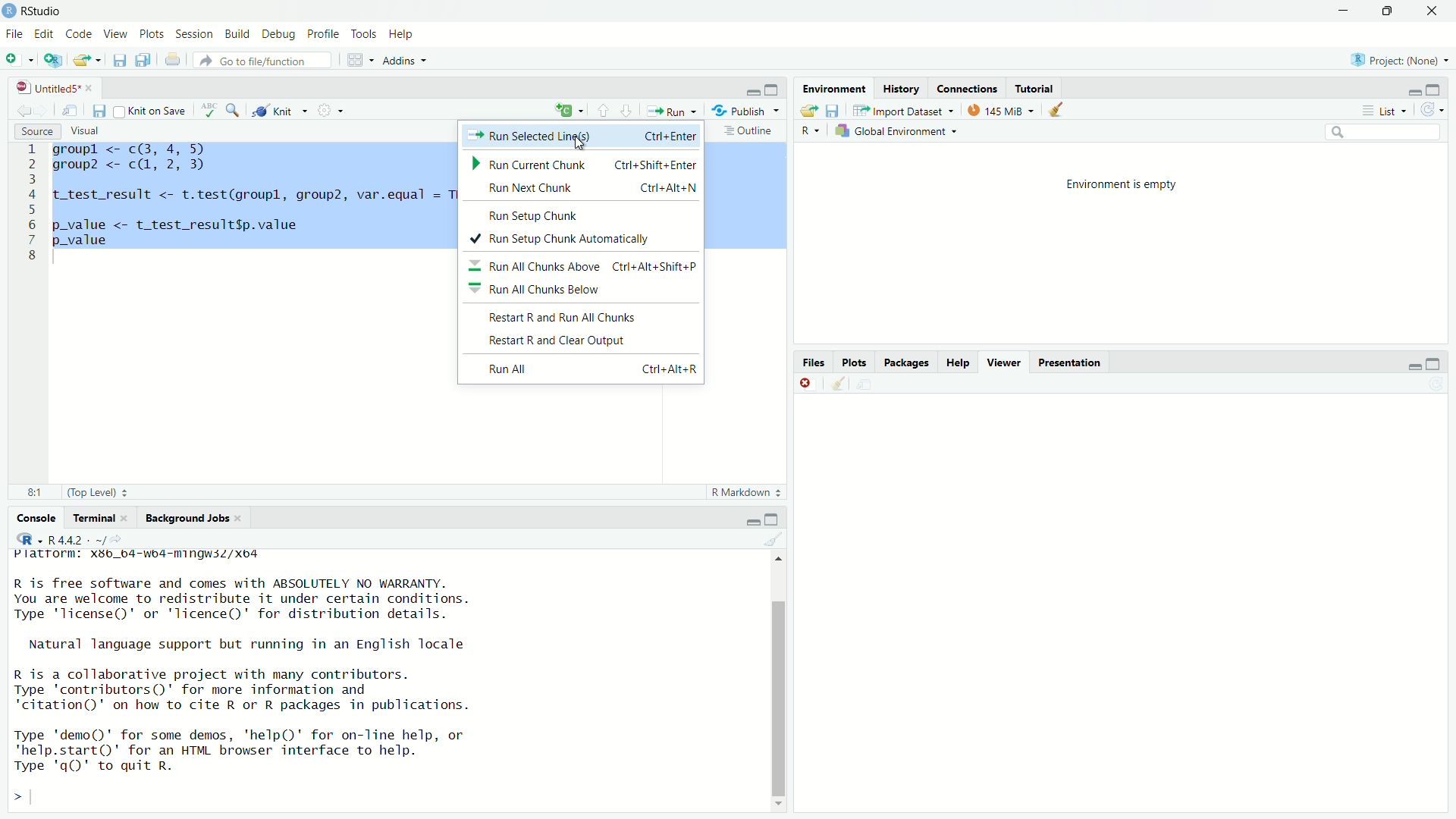 Image resolution: width=1456 pixels, height=819 pixels. What do you see at coordinates (154, 109) in the screenshot?
I see `Knit on Save` at bounding box center [154, 109].